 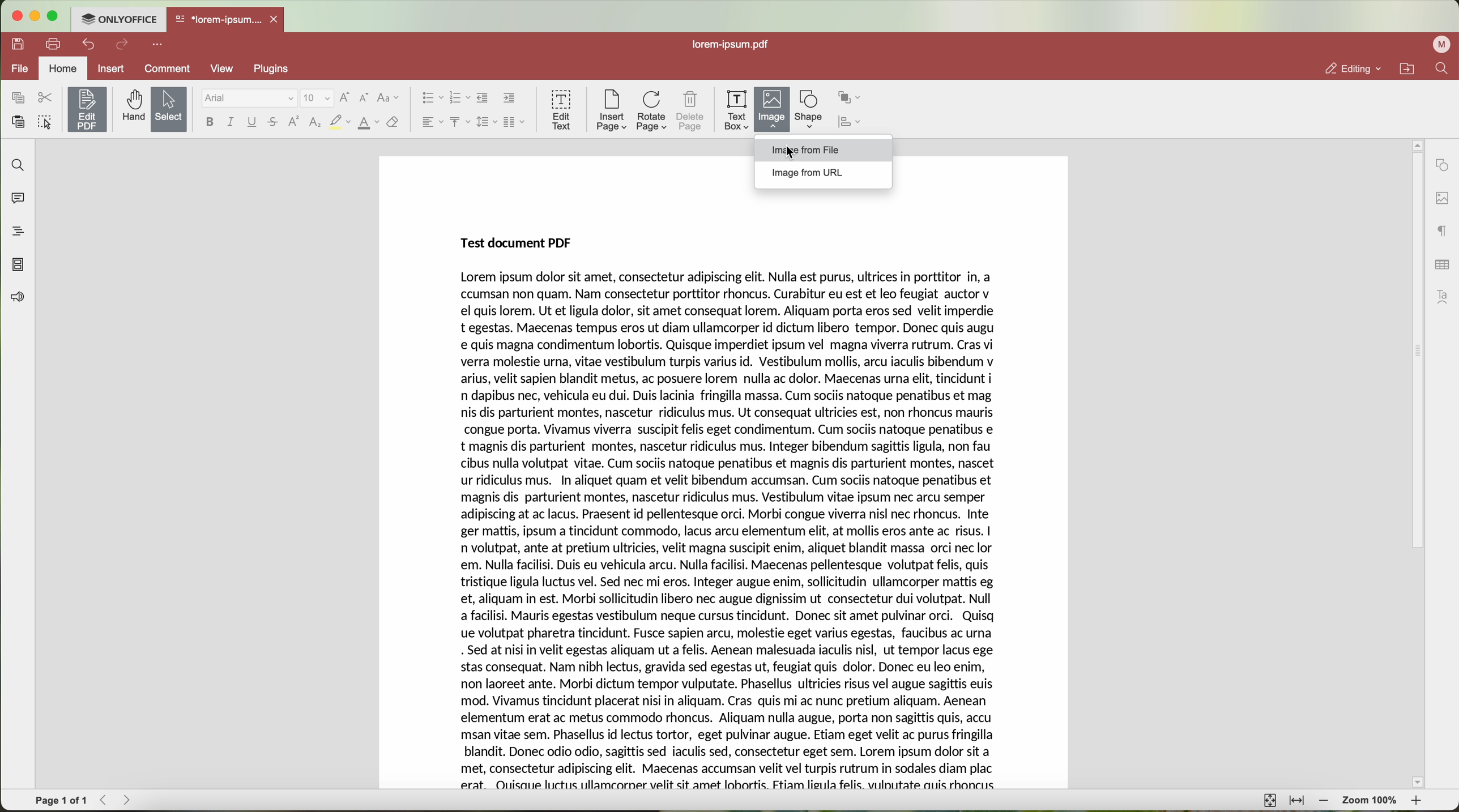 I want to click on comment, so click(x=169, y=70).